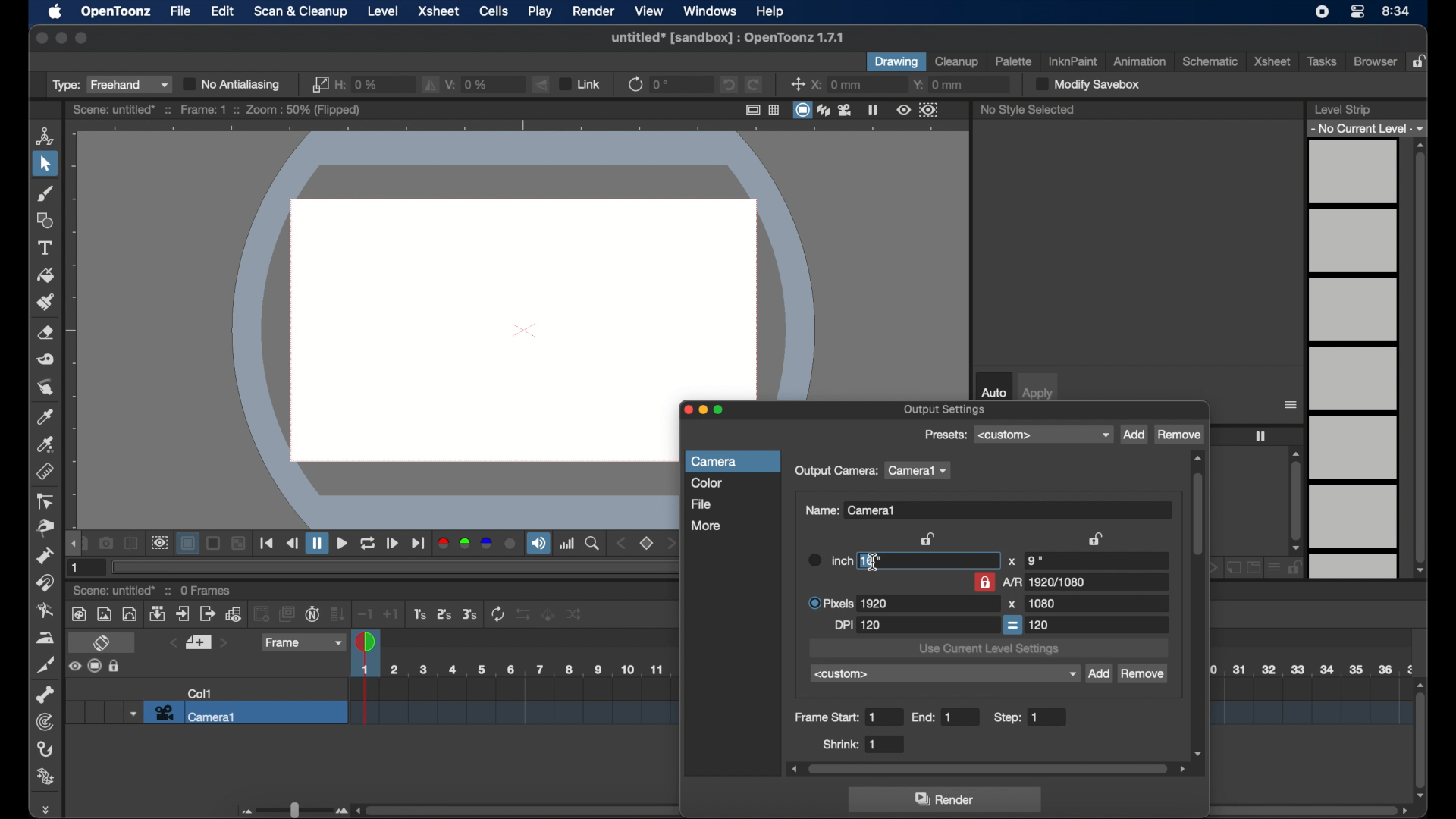  I want to click on , so click(215, 544).